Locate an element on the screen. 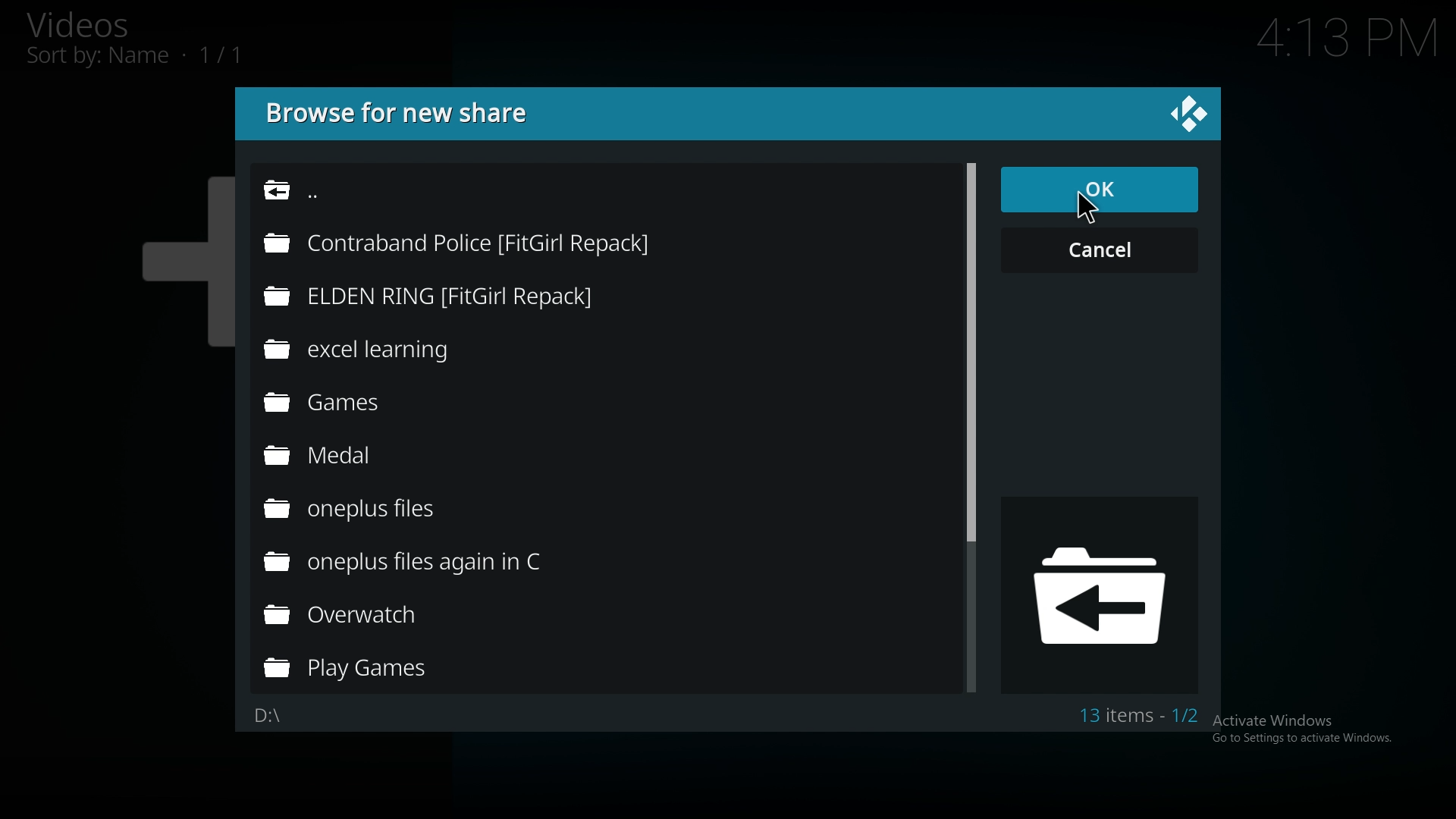 The height and width of the screenshot is (819, 1456). folder is located at coordinates (372, 670).